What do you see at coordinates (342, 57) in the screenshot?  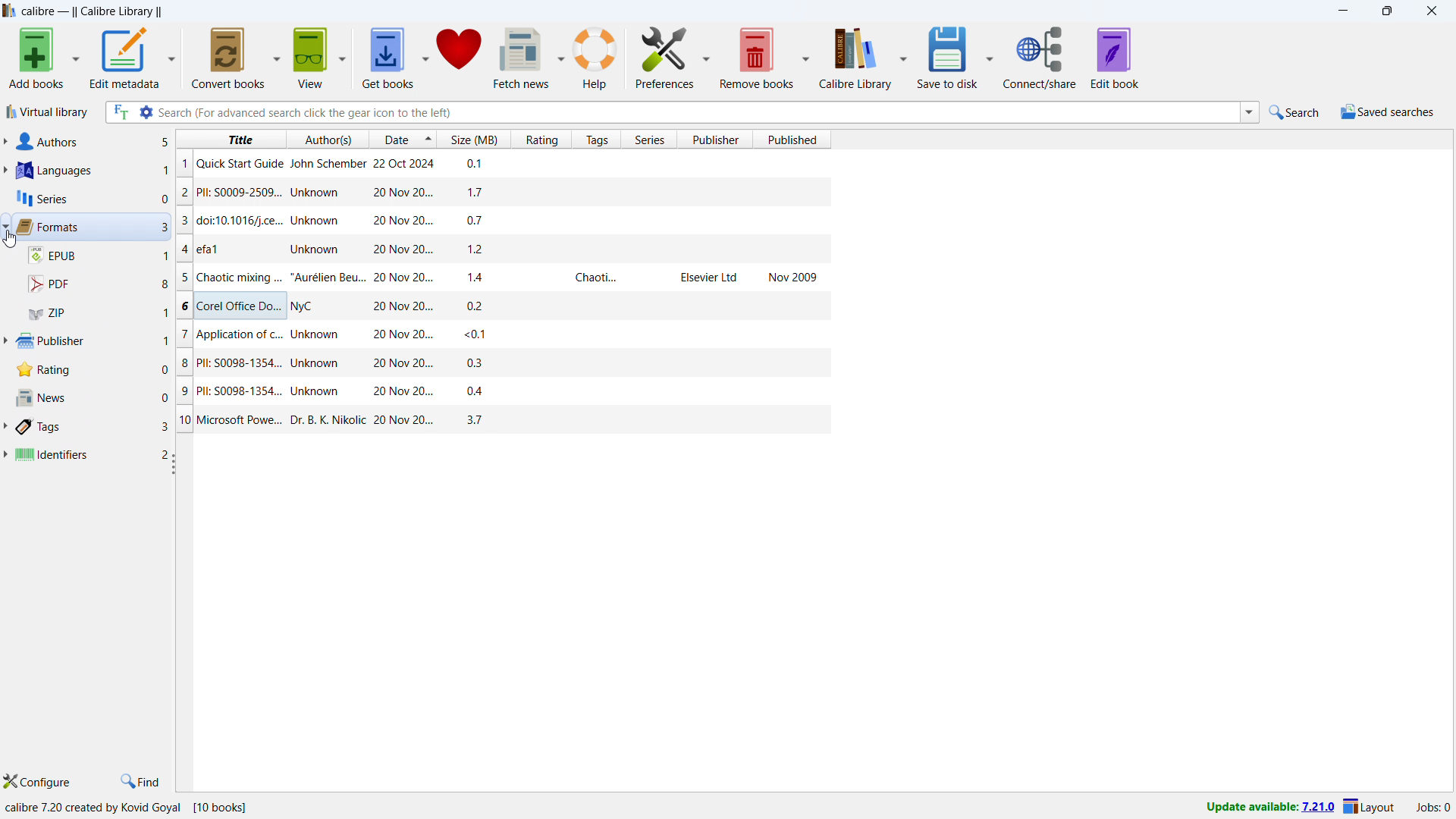 I see `view options` at bounding box center [342, 57].